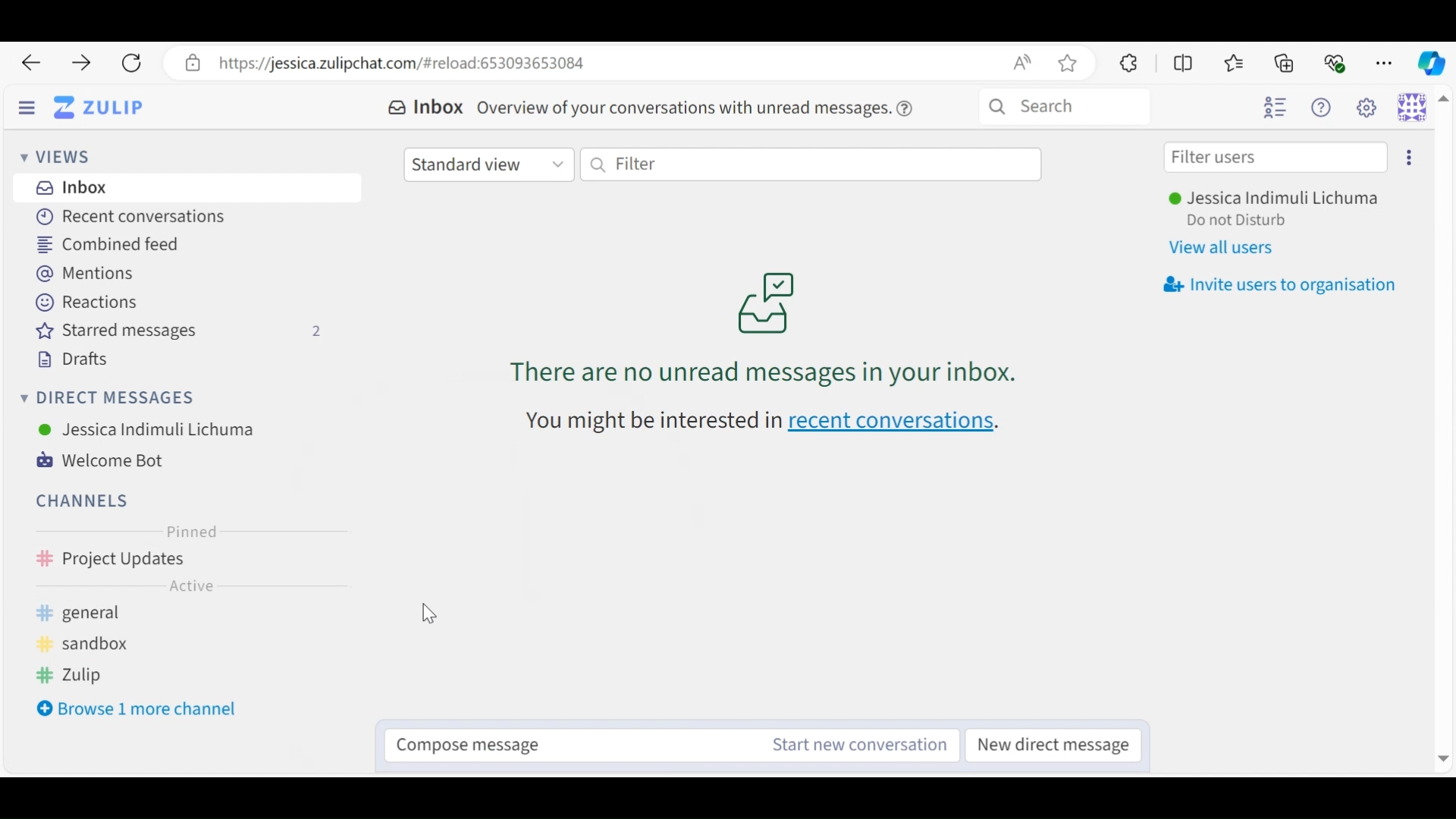 The height and width of the screenshot is (819, 1456). What do you see at coordinates (1058, 745) in the screenshot?
I see `New direct message` at bounding box center [1058, 745].